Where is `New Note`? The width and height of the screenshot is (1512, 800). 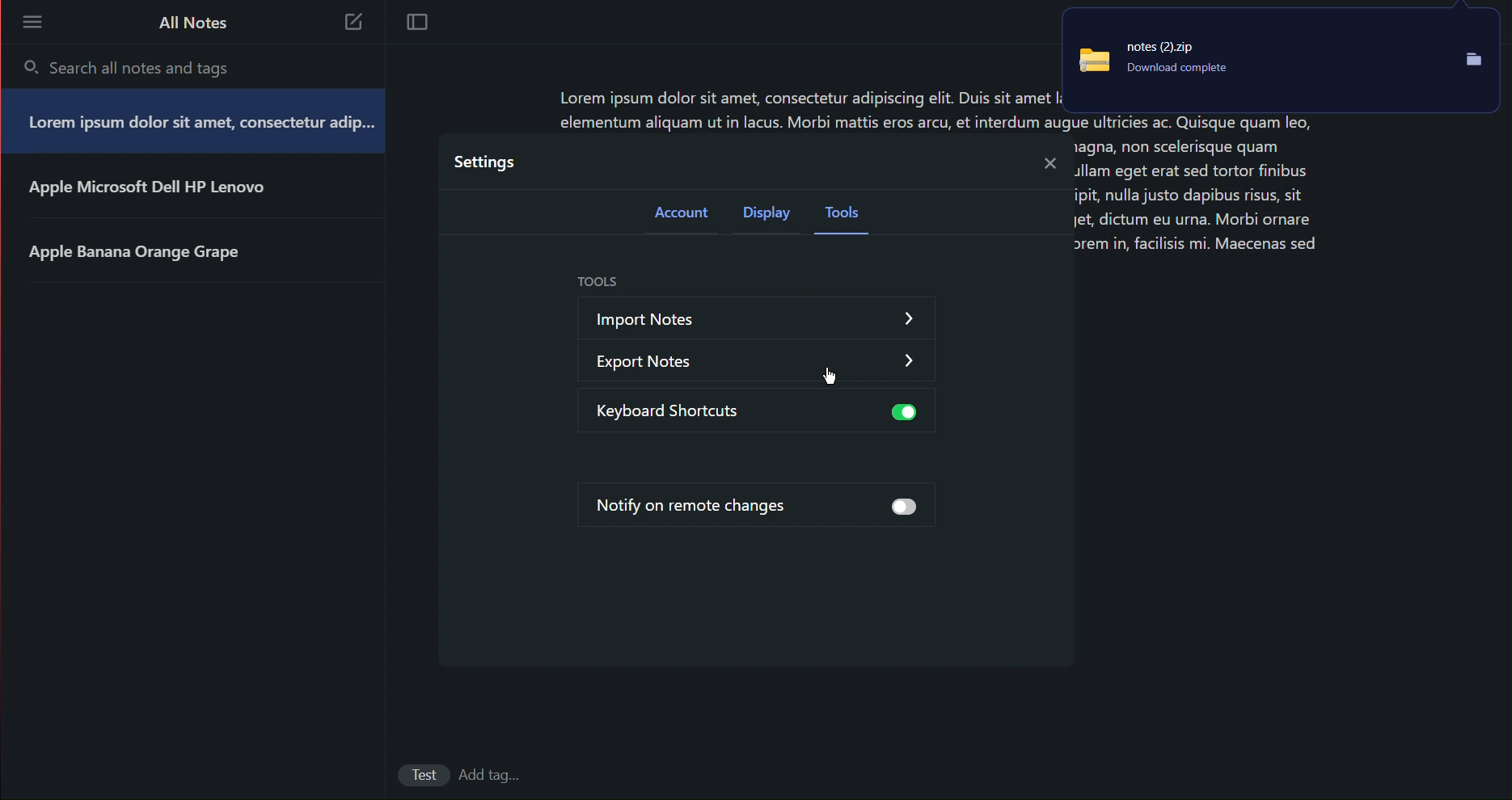
New Note is located at coordinates (356, 23).